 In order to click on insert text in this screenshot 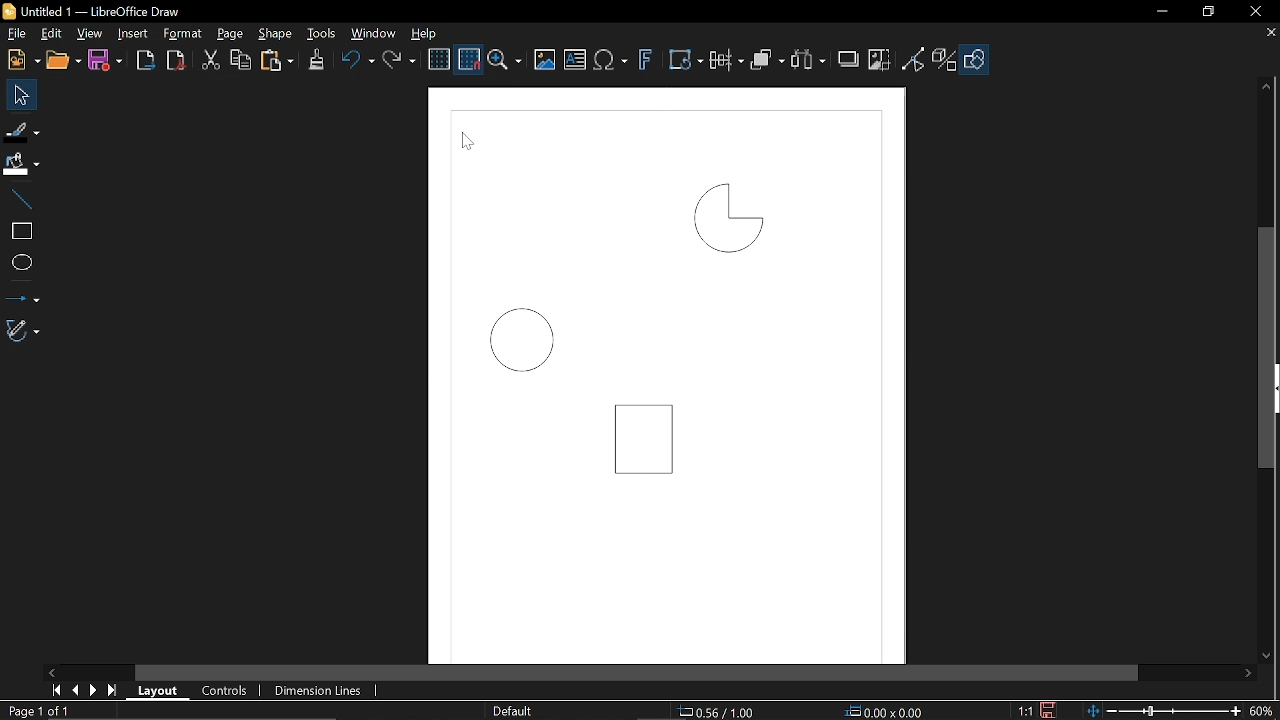, I will do `click(575, 59)`.